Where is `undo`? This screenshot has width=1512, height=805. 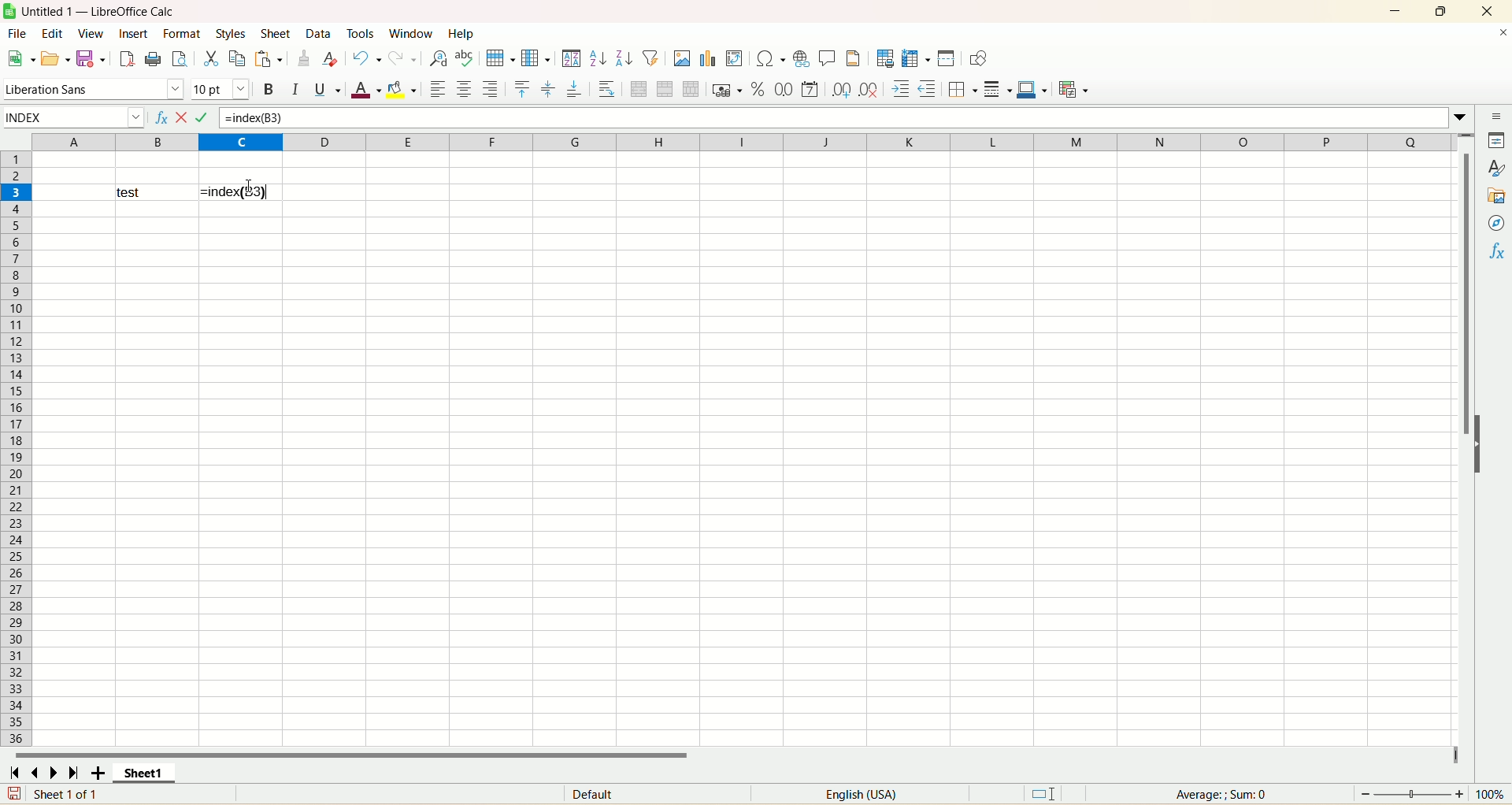 undo is located at coordinates (366, 58).